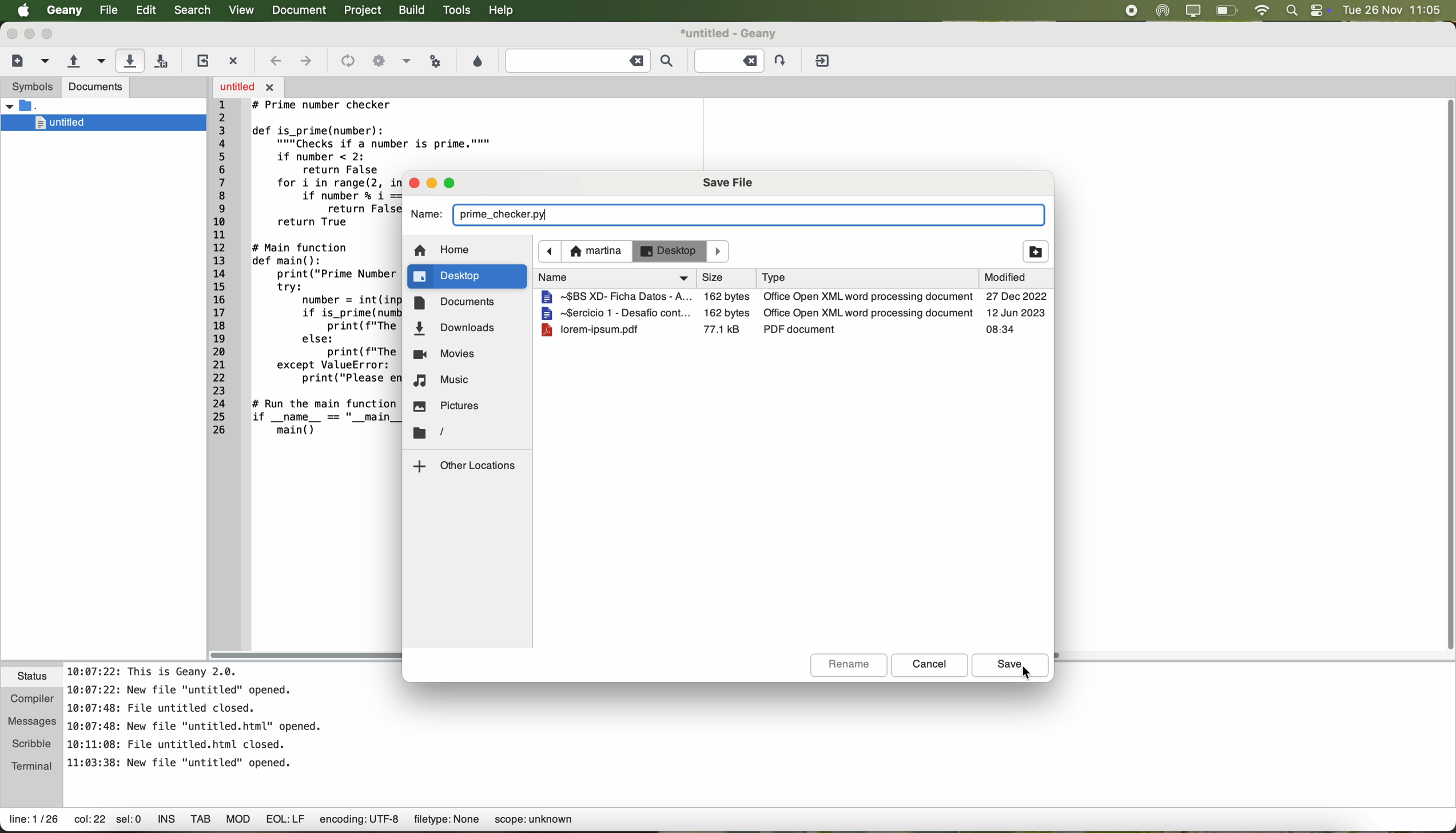 This screenshot has height=833, width=1456. I want to click on view, so click(240, 10).